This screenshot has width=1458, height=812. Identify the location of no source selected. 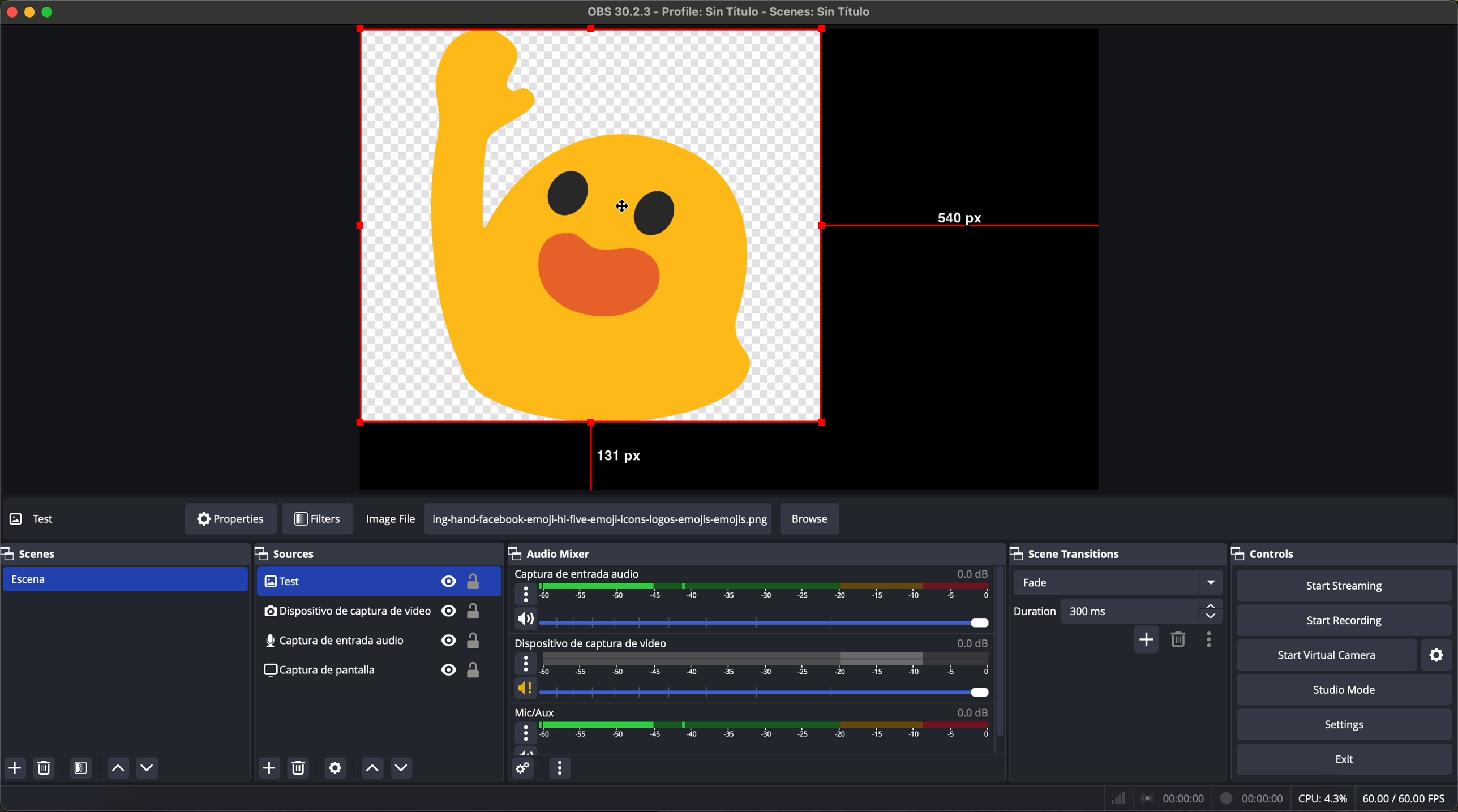
(59, 518).